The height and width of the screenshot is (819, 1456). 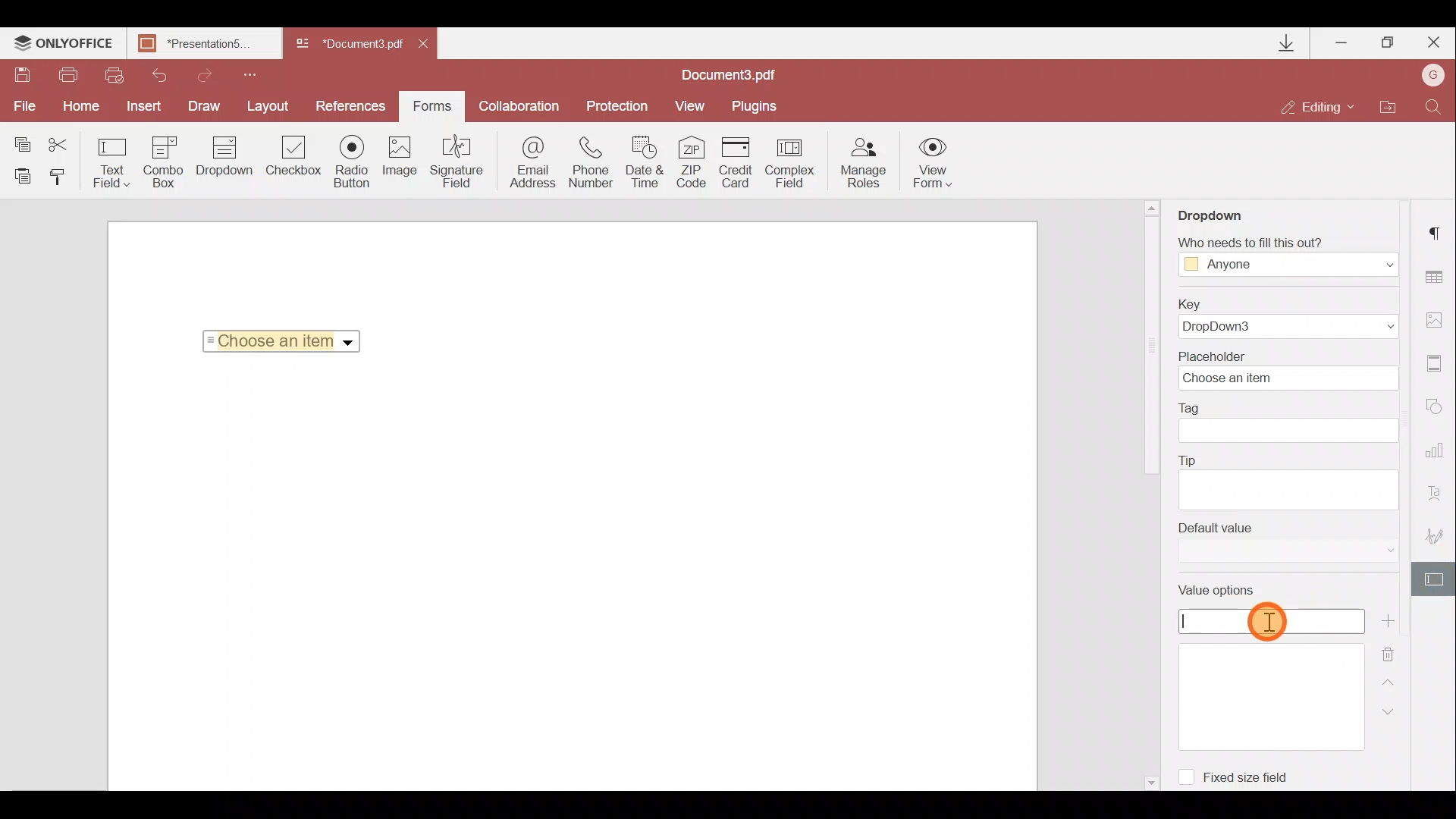 What do you see at coordinates (354, 162) in the screenshot?
I see `Radio` at bounding box center [354, 162].